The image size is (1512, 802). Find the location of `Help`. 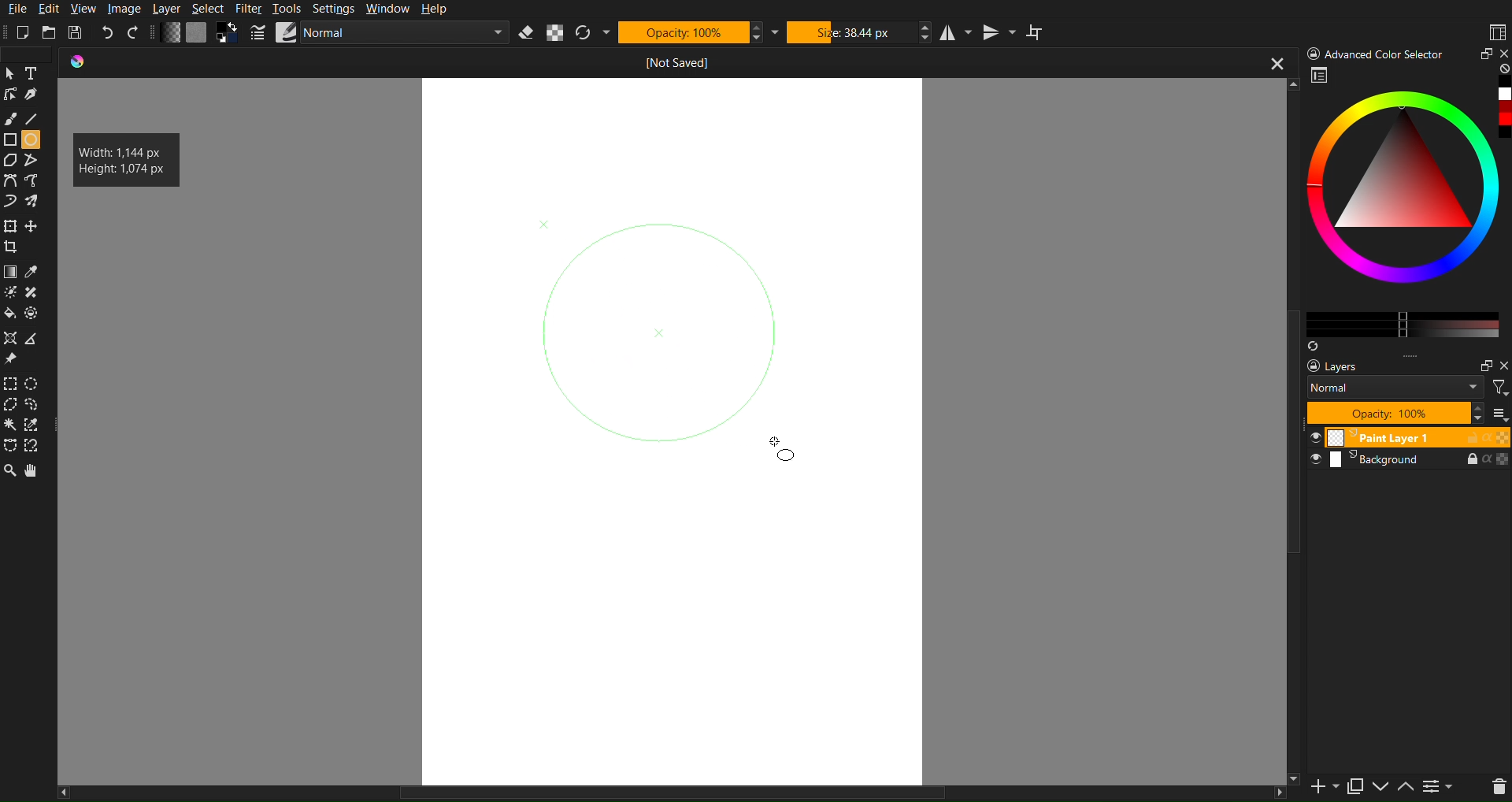

Help is located at coordinates (439, 9).